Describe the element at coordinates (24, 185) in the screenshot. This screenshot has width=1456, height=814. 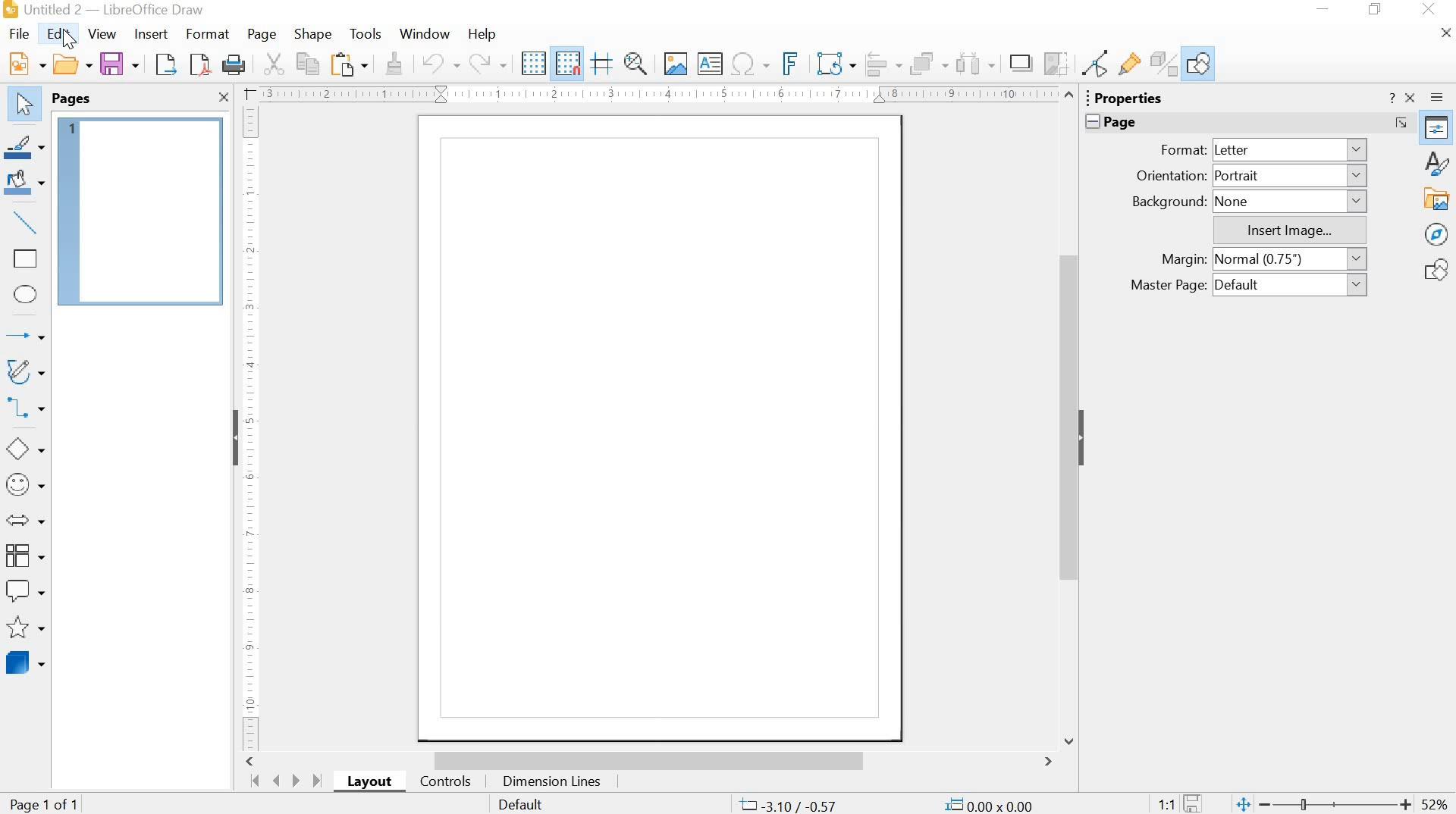
I see `Fill Color` at that location.